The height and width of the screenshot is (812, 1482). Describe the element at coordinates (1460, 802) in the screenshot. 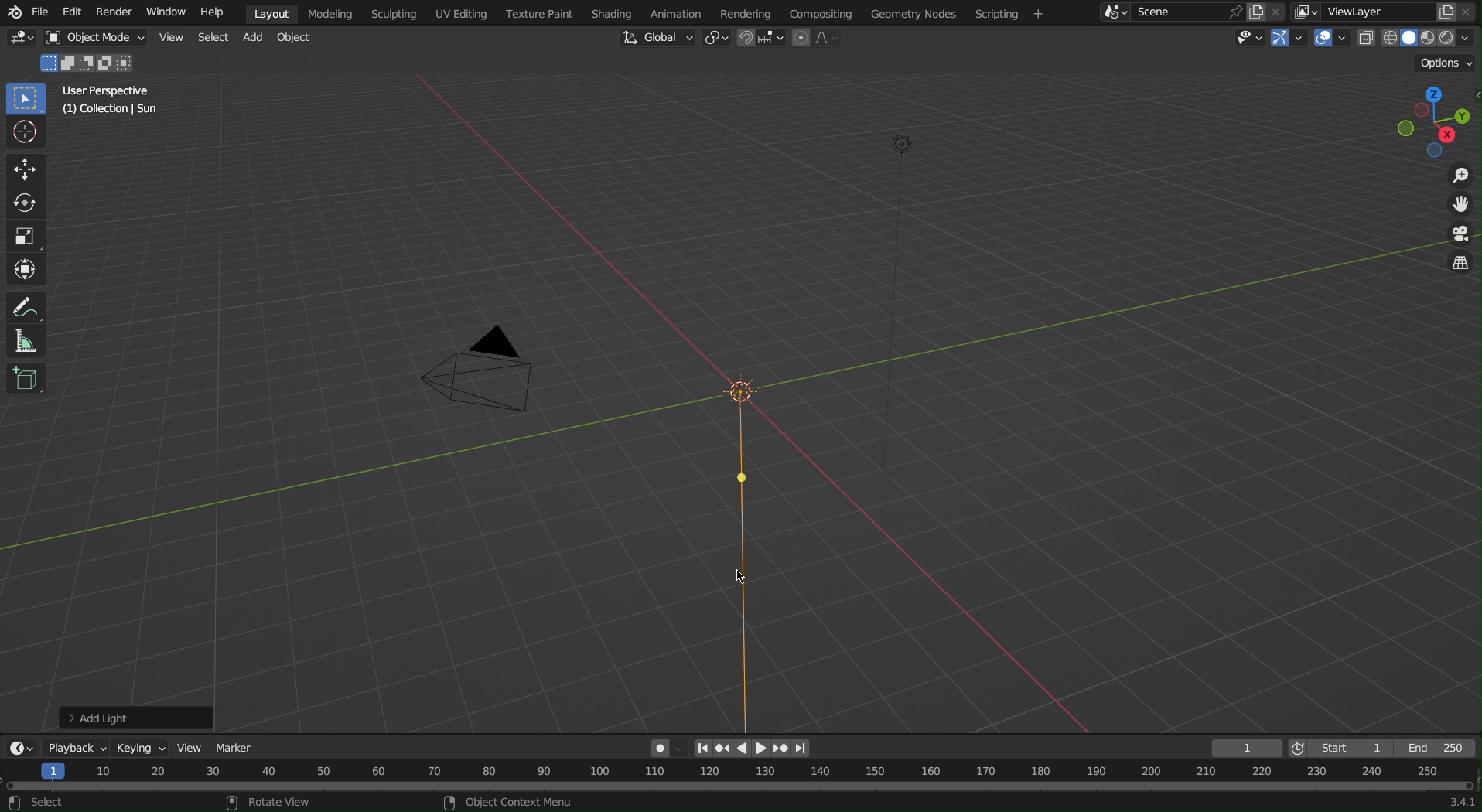

I see `3:41` at that location.